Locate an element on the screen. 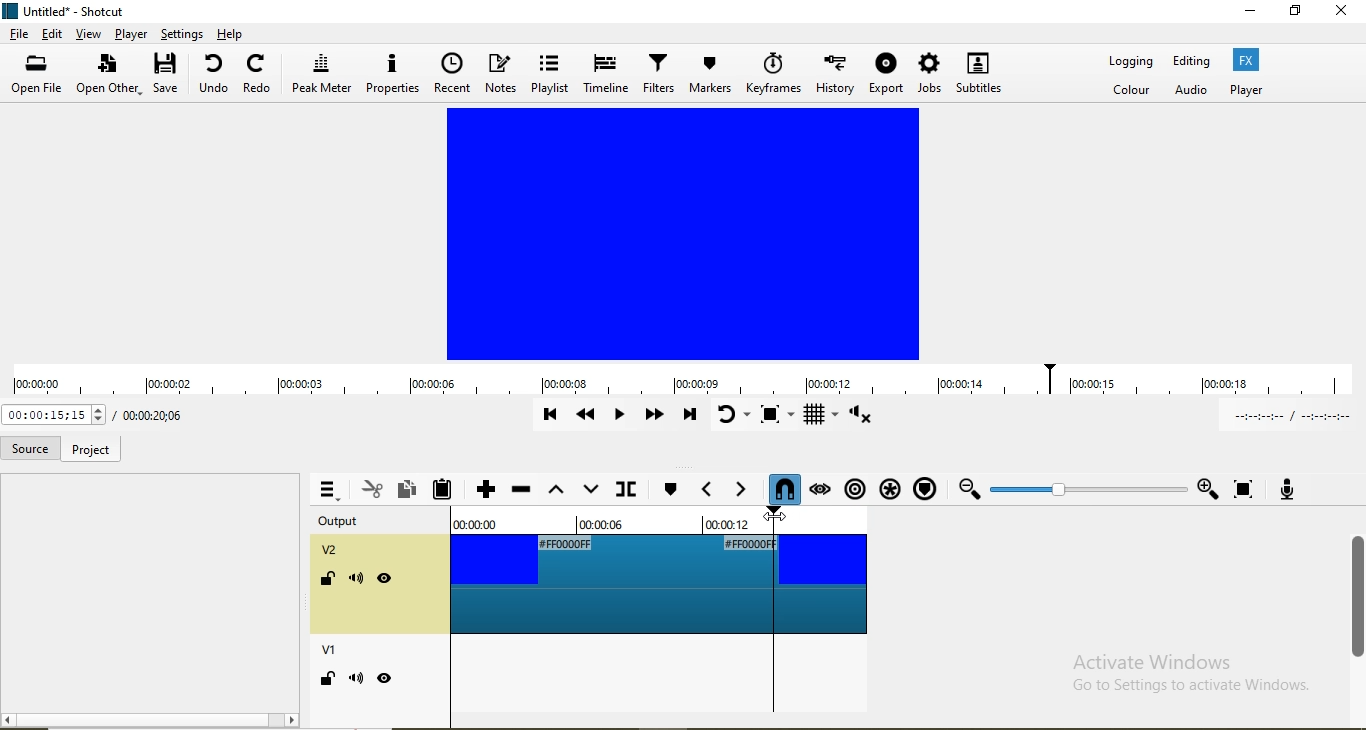  Toggle play or pause is located at coordinates (622, 419).